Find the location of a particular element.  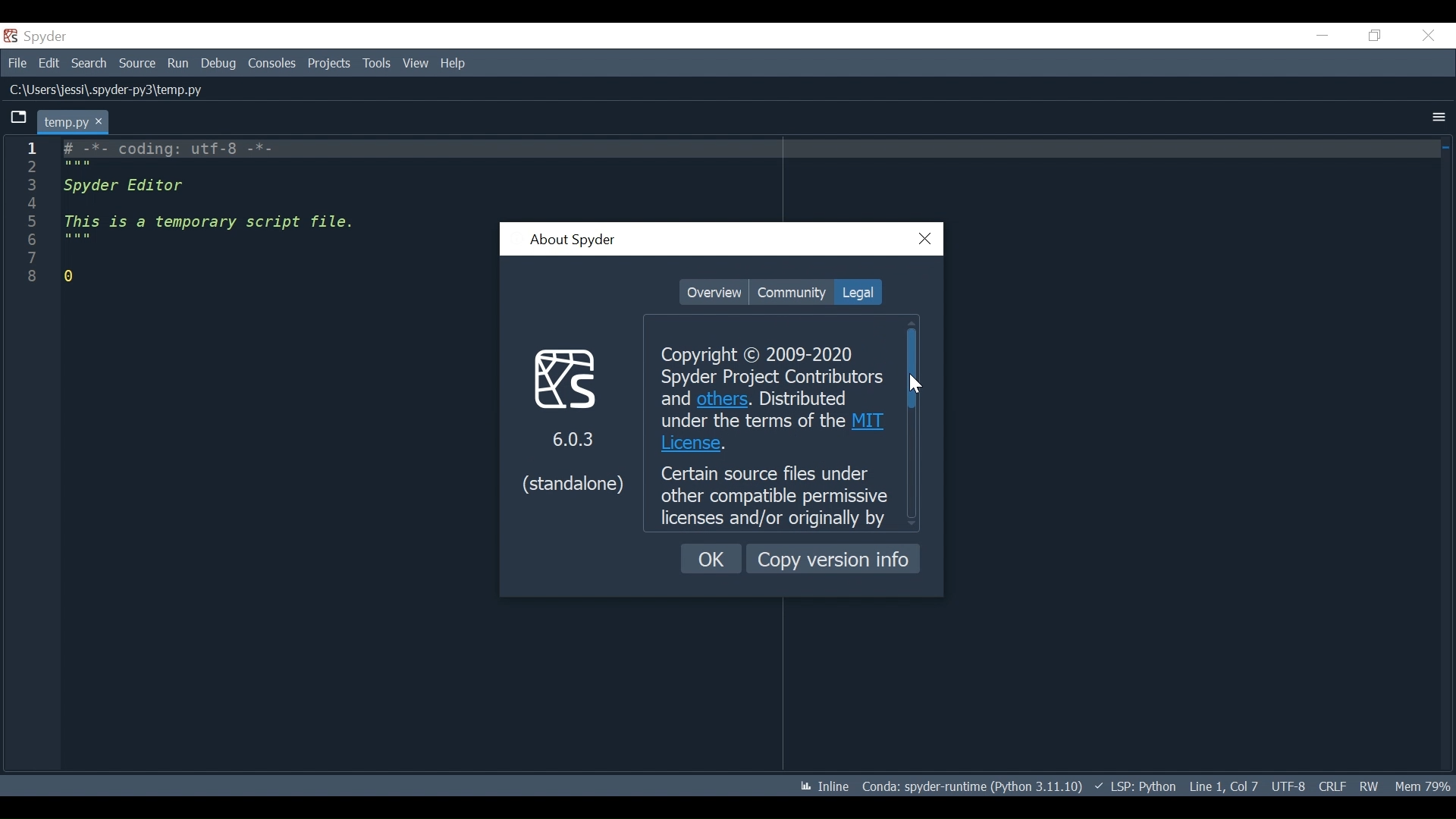

Close is located at coordinates (1428, 36).